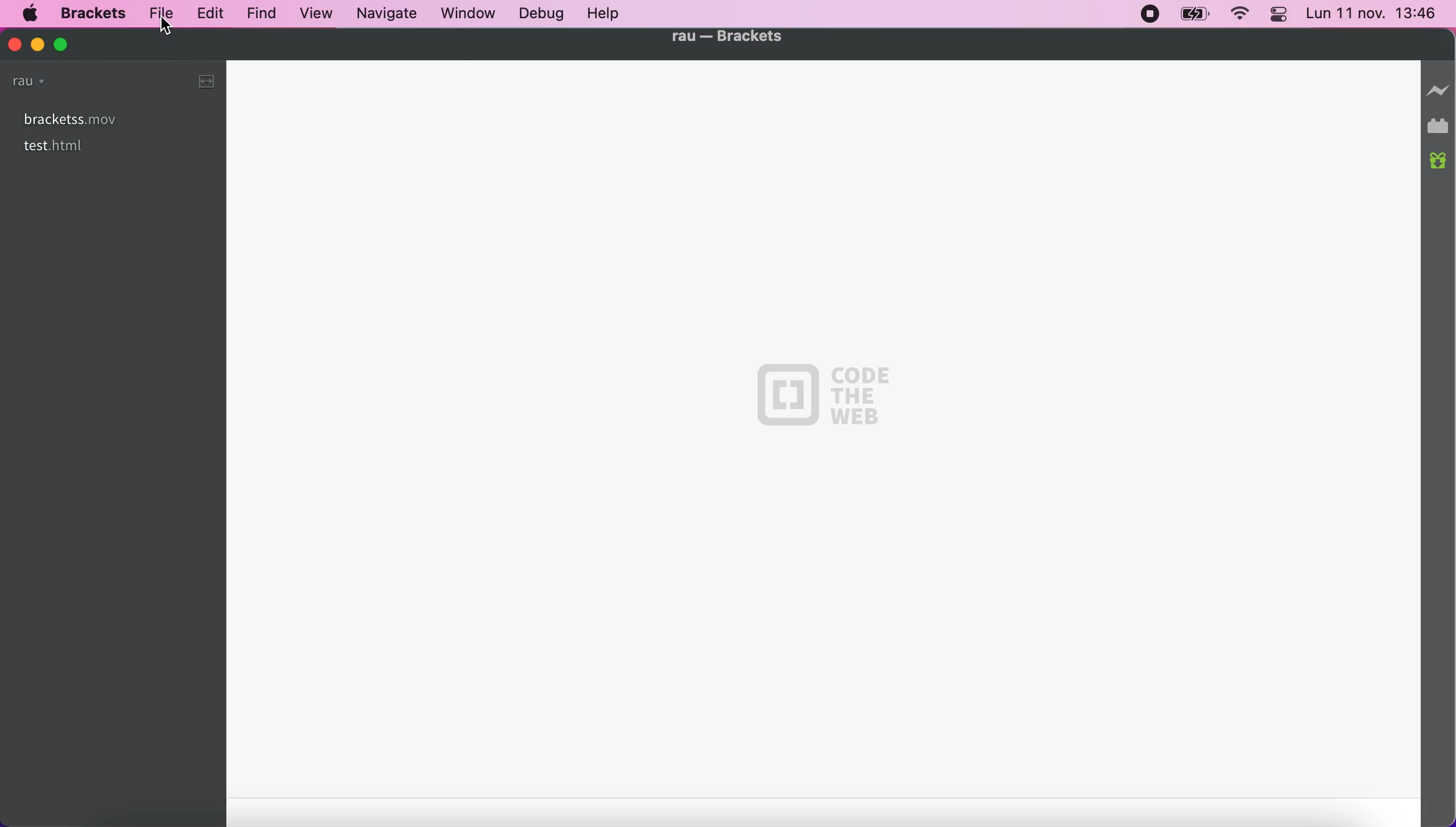 Image resolution: width=1456 pixels, height=827 pixels. What do you see at coordinates (1372, 15) in the screenshot?
I see `time and date` at bounding box center [1372, 15].